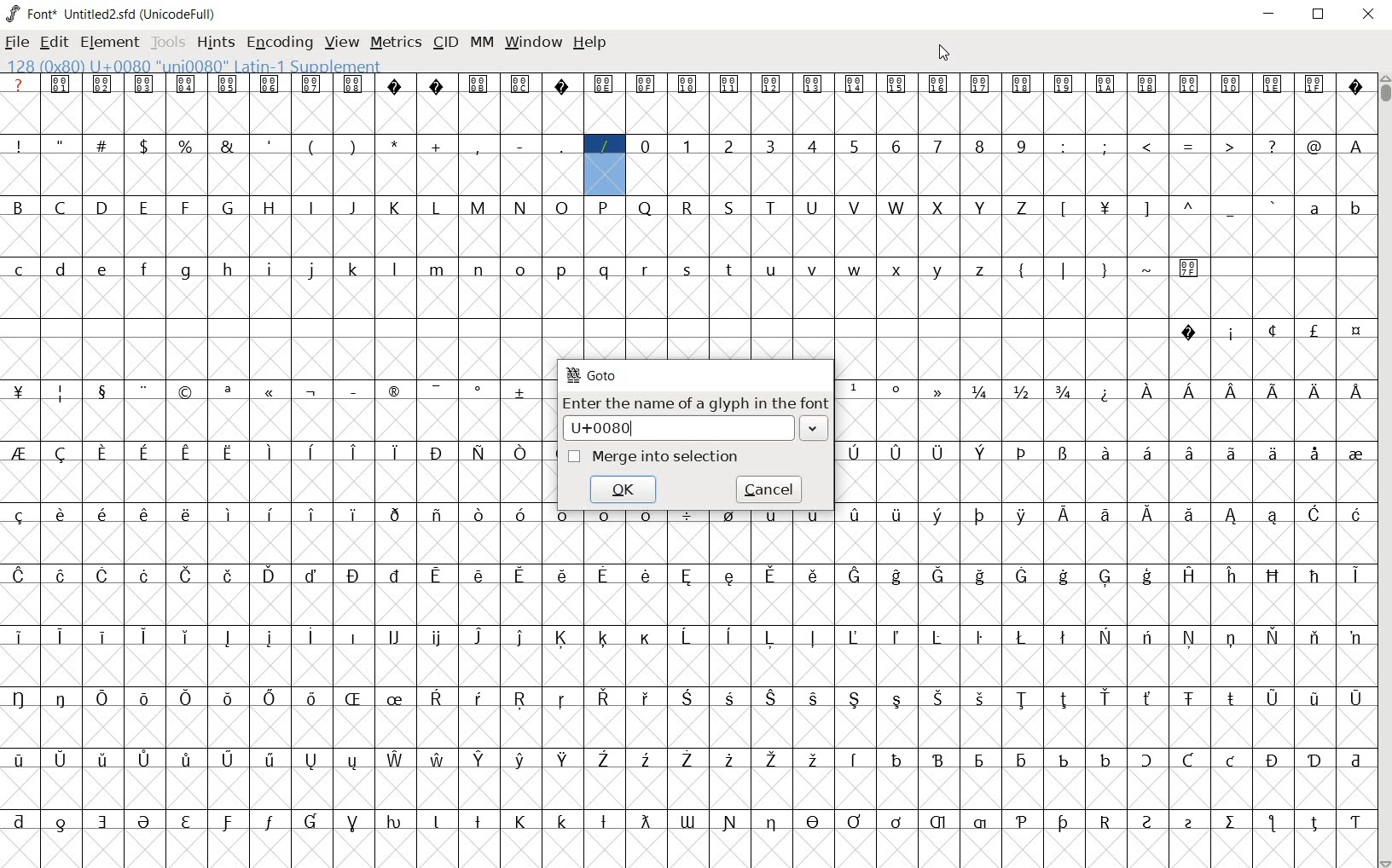 The width and height of the screenshot is (1392, 868). I want to click on glyph, so click(646, 208).